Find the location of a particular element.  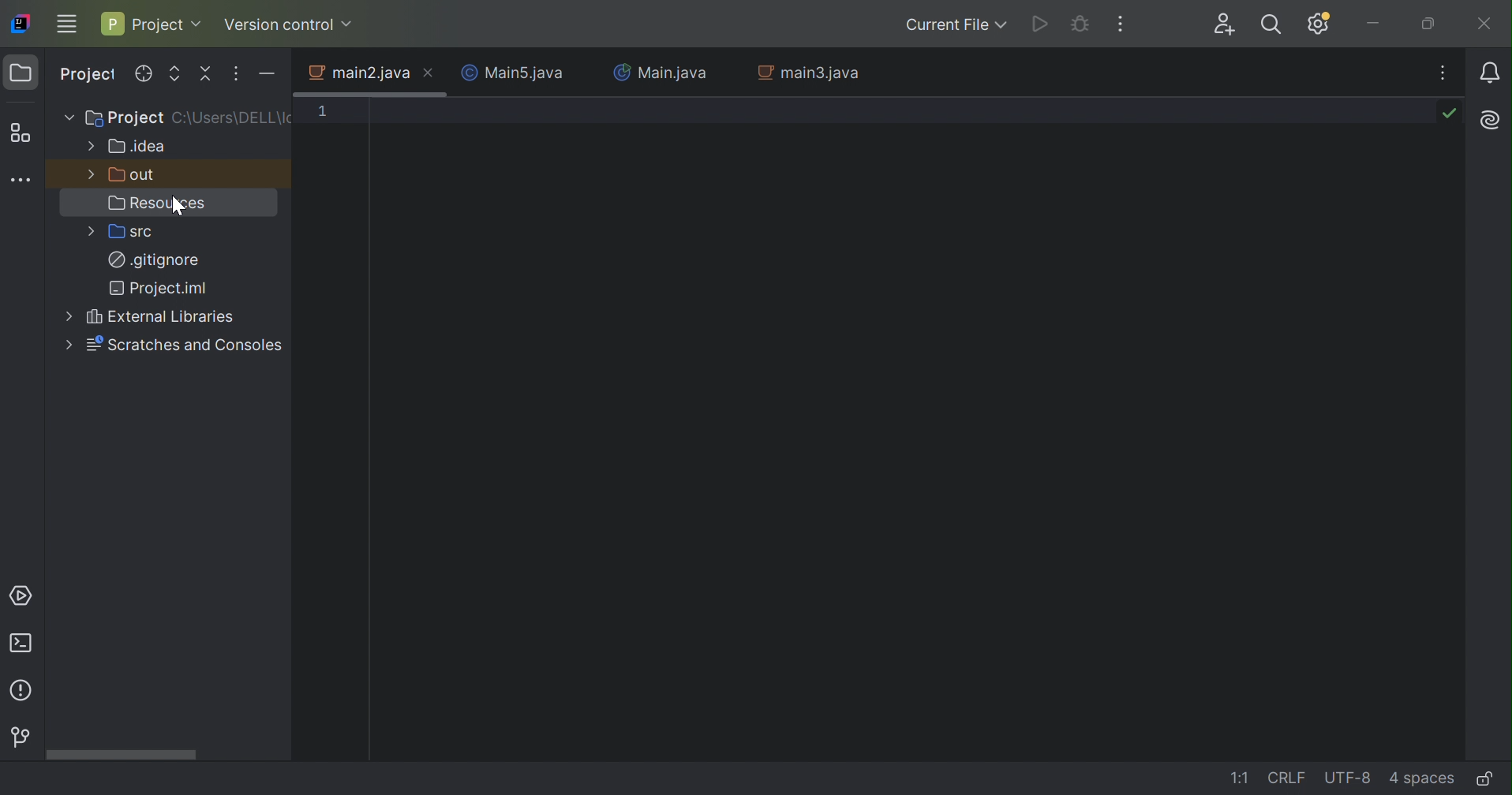

Main menu is located at coordinates (68, 25).